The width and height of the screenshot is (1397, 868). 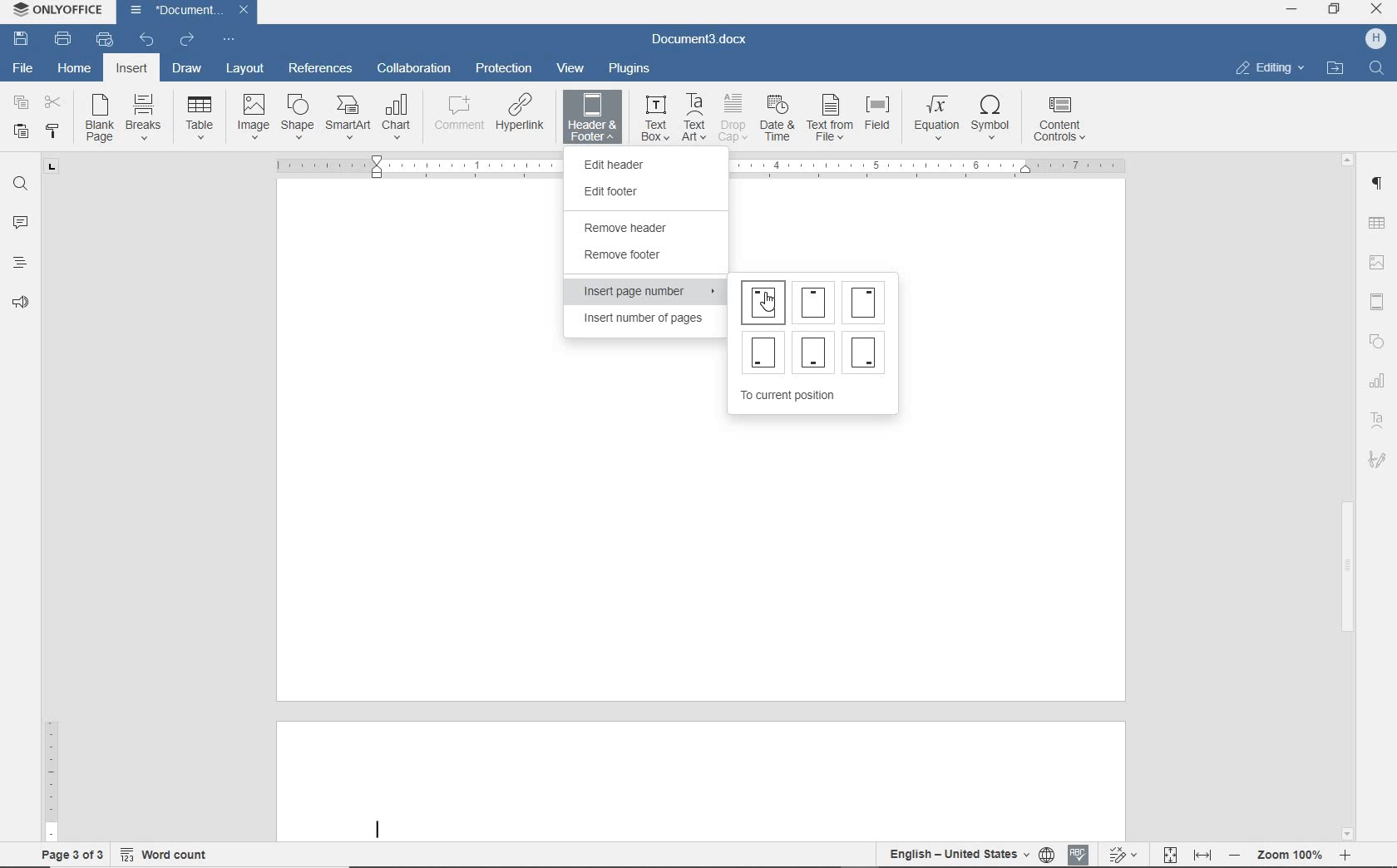 What do you see at coordinates (648, 293) in the screenshot?
I see `INSERT PAGE NUMBER` at bounding box center [648, 293].